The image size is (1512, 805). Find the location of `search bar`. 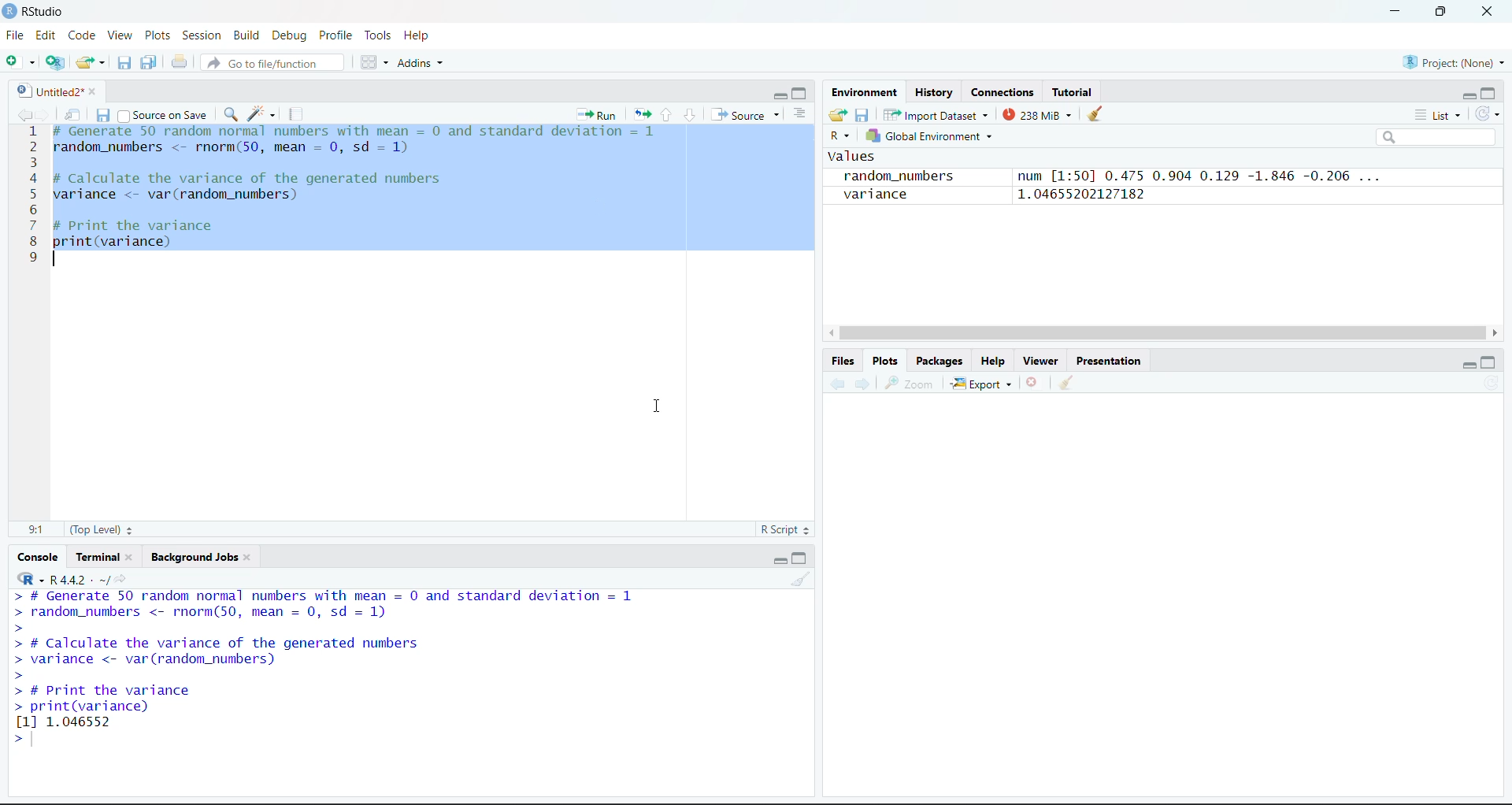

search bar is located at coordinates (1435, 137).